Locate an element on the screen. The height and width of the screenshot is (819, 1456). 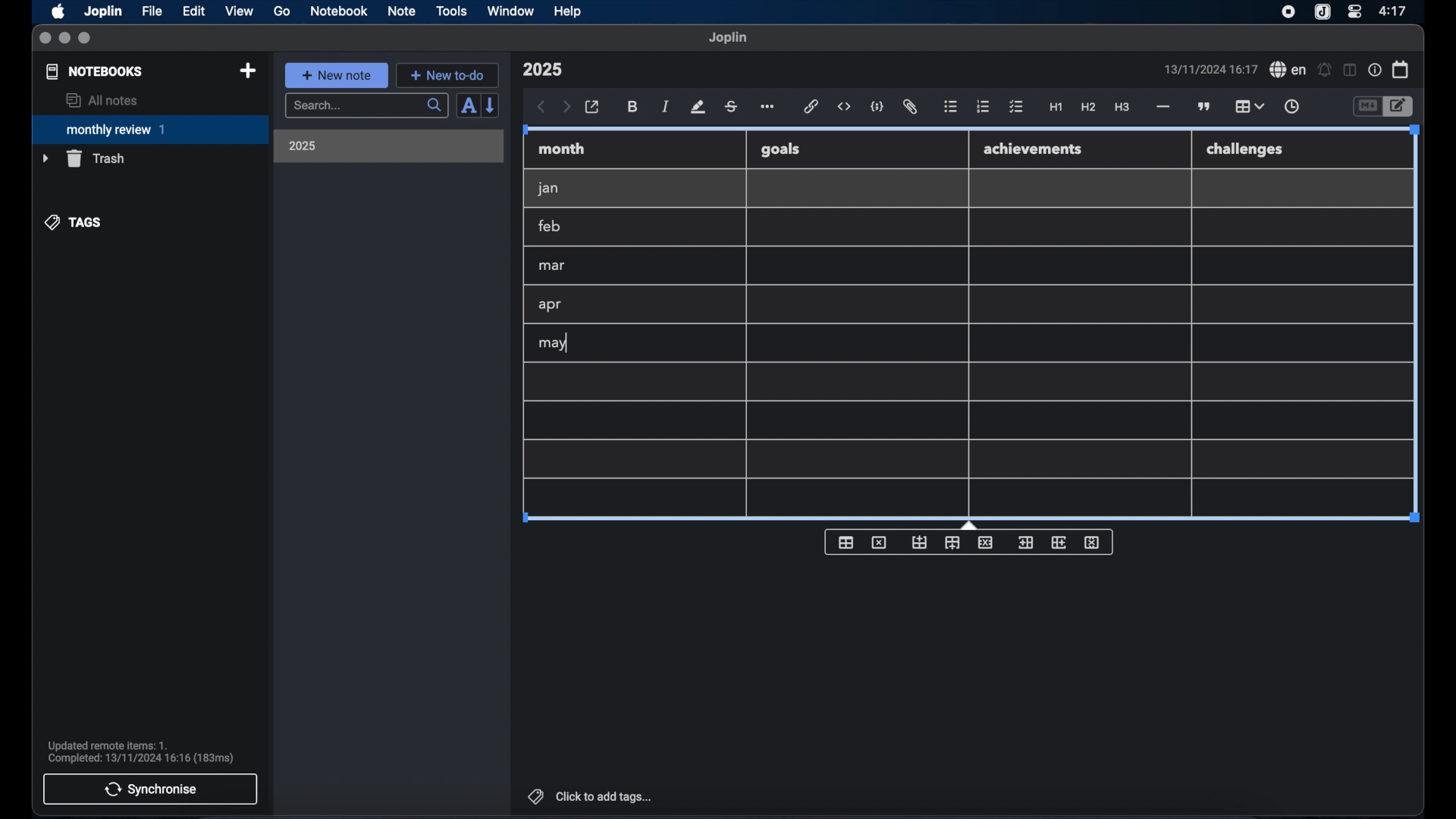
new notebook is located at coordinates (247, 71).